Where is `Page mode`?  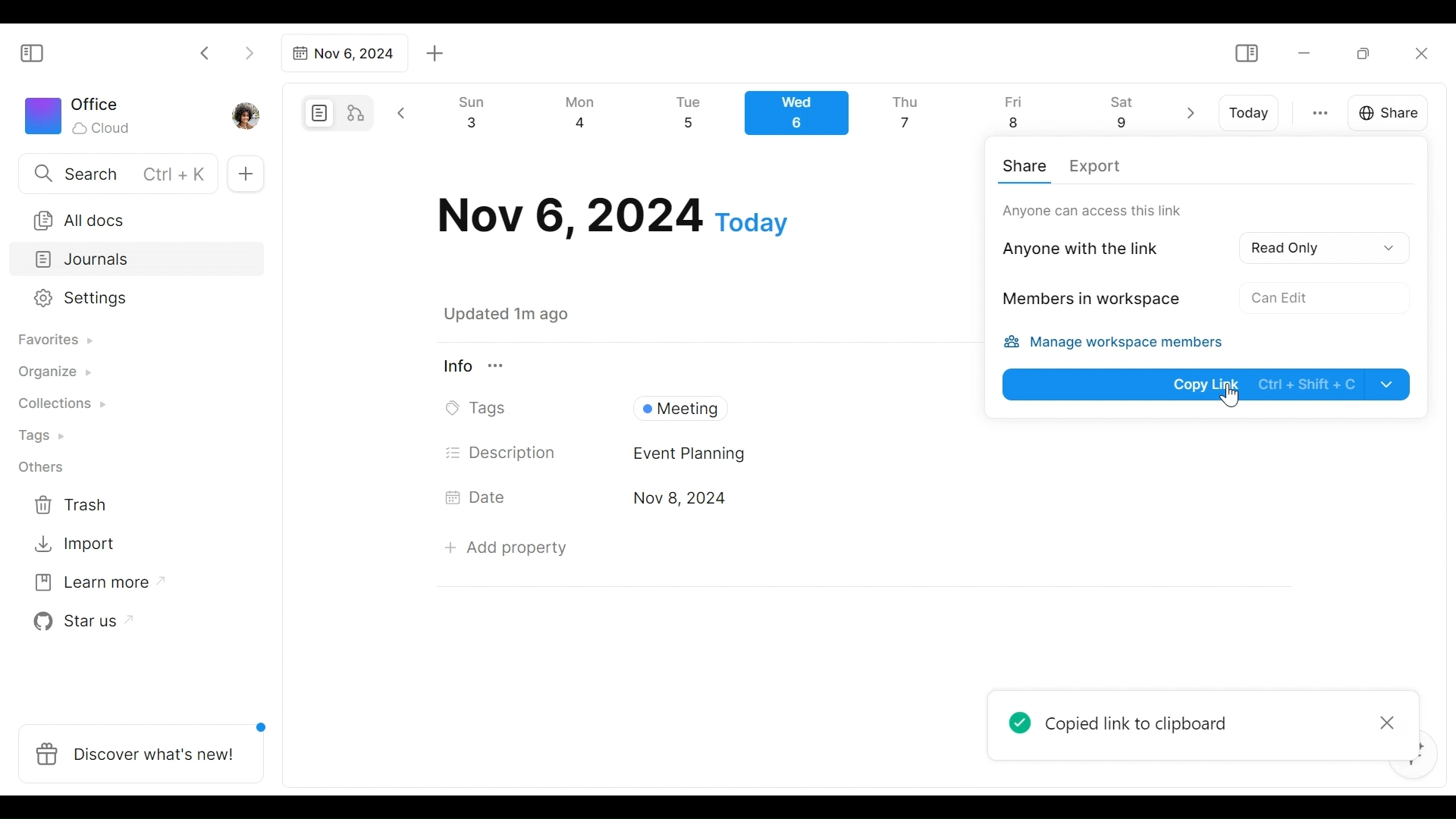
Page mode is located at coordinates (317, 113).